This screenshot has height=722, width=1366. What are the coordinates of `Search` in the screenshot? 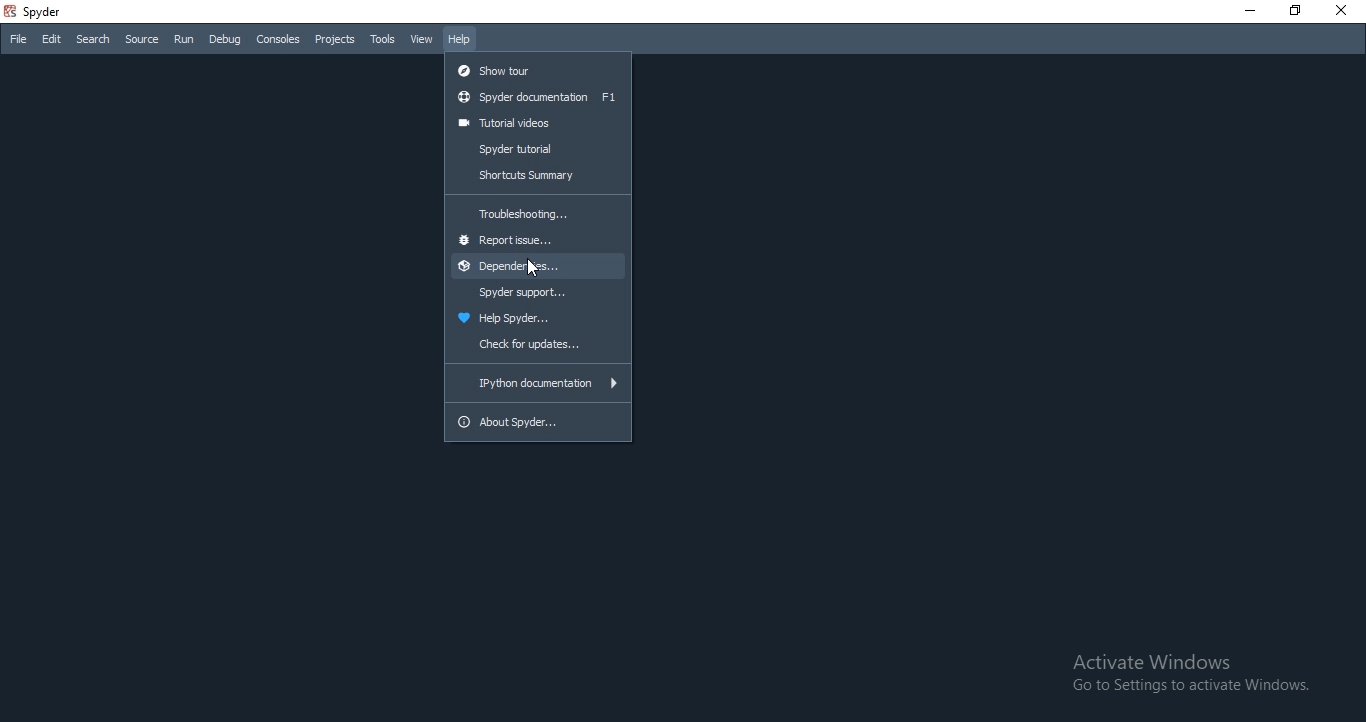 It's located at (90, 39).